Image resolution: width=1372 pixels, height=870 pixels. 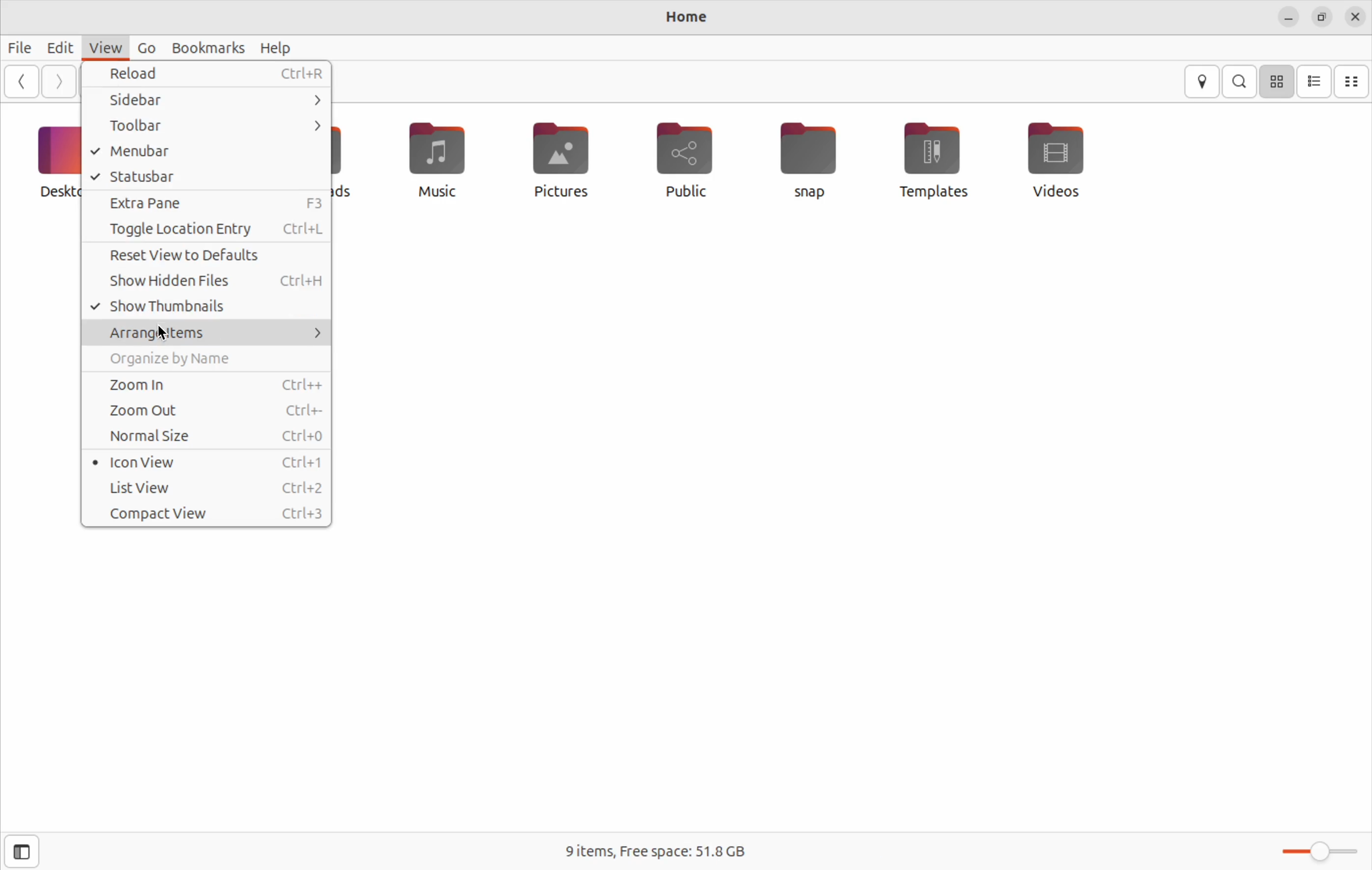 What do you see at coordinates (209, 255) in the screenshot?
I see `reset view to default` at bounding box center [209, 255].